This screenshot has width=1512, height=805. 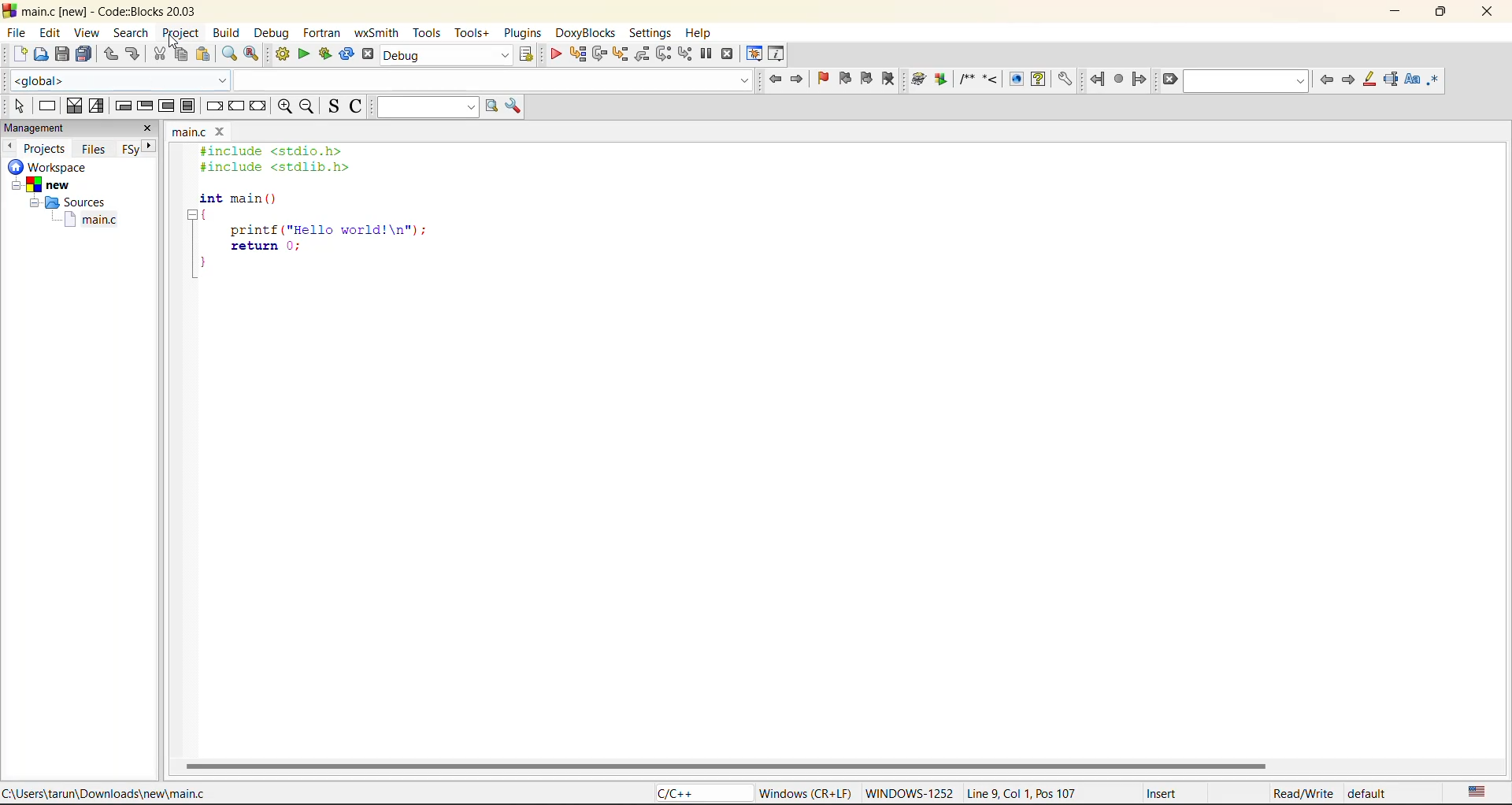 I want to click on workspace, so click(x=66, y=167).